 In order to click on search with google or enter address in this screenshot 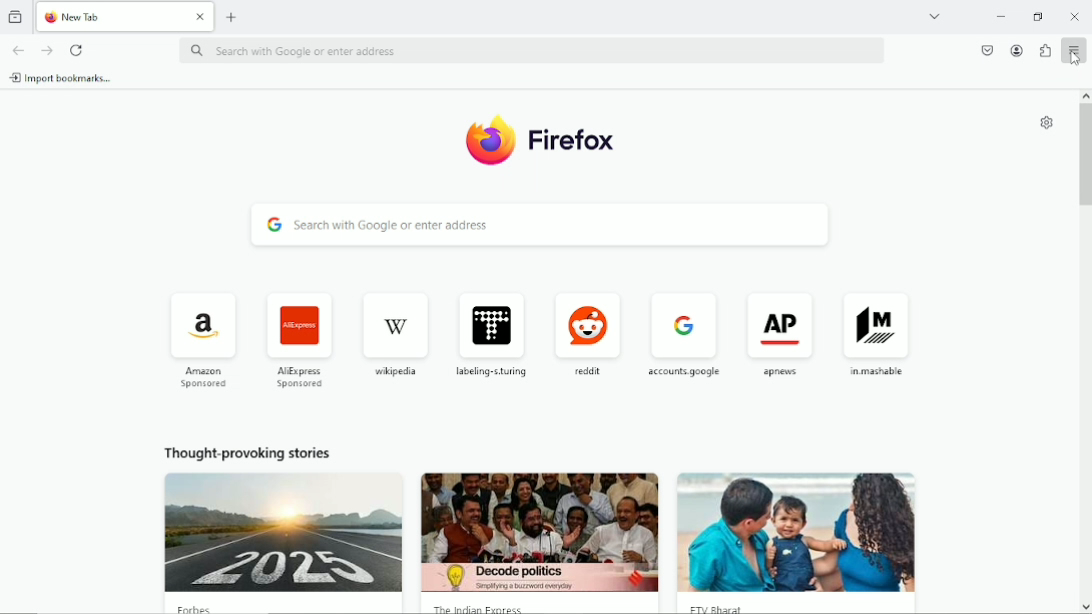, I will do `click(542, 225)`.